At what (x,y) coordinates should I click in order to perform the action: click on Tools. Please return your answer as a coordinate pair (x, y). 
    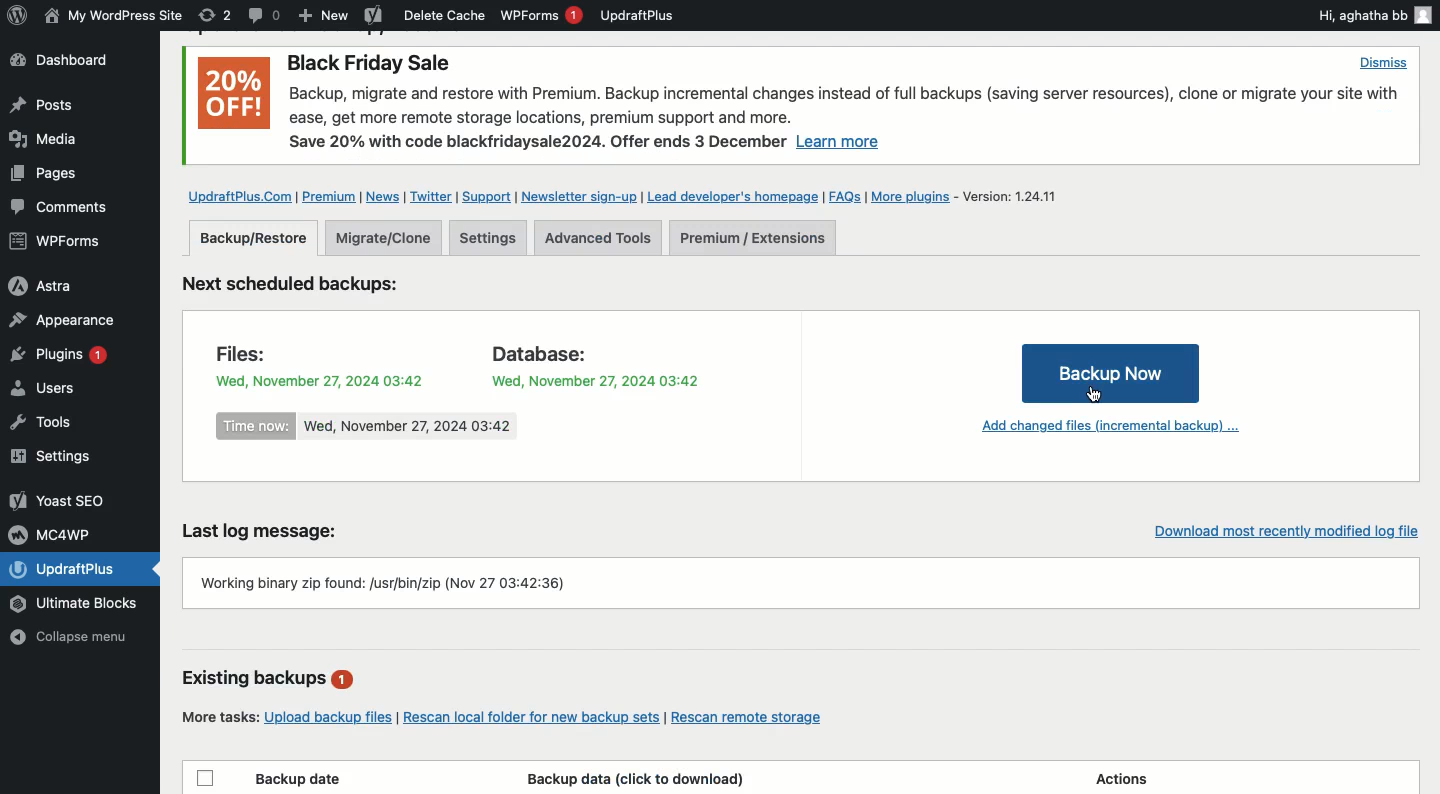
    Looking at the image, I should click on (54, 422).